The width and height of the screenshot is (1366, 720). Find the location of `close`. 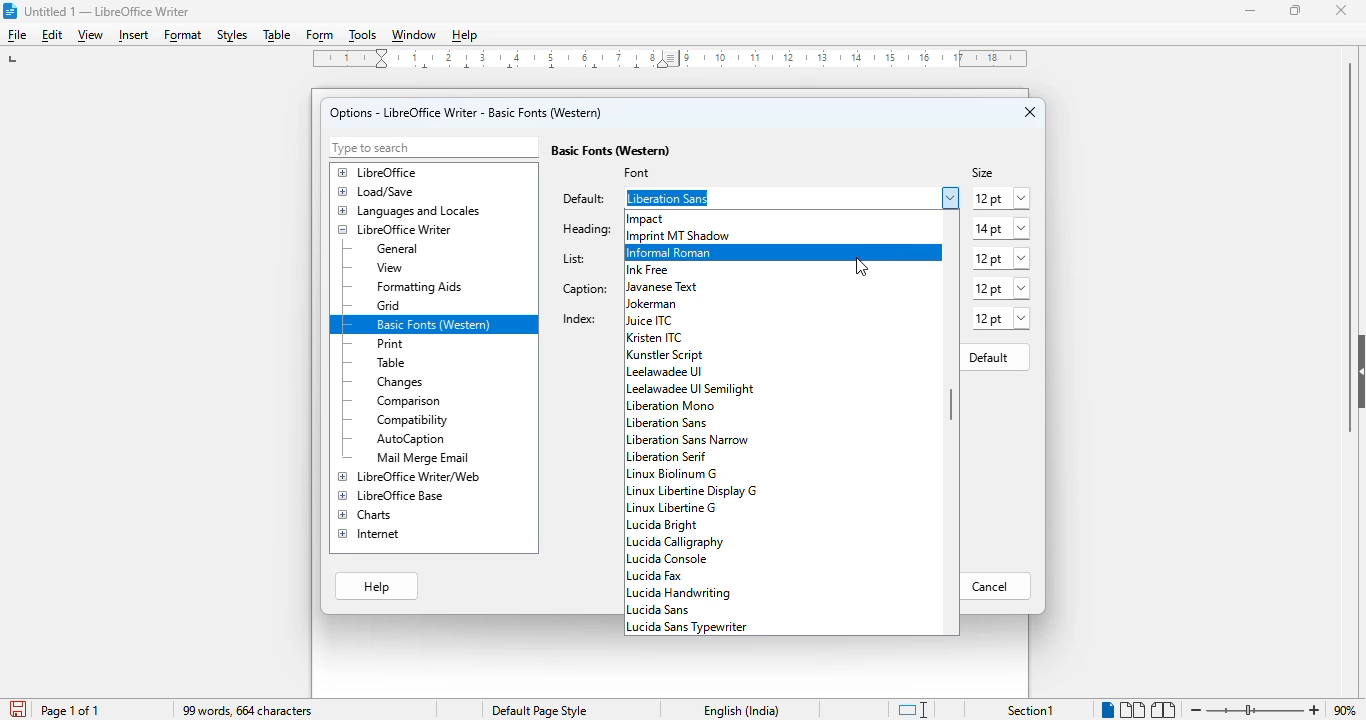

close is located at coordinates (1342, 9).